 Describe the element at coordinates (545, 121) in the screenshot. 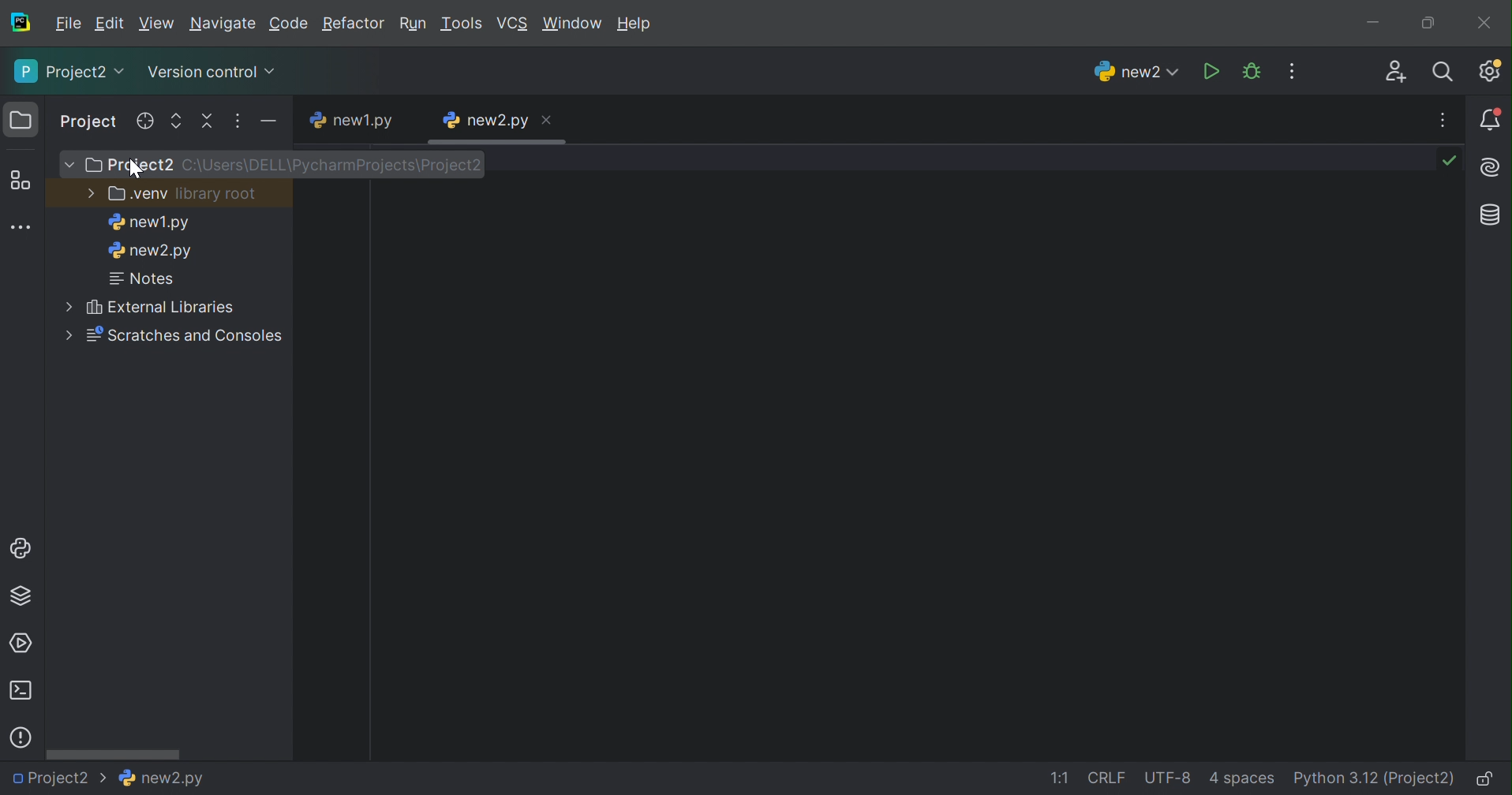

I see `Close` at that location.